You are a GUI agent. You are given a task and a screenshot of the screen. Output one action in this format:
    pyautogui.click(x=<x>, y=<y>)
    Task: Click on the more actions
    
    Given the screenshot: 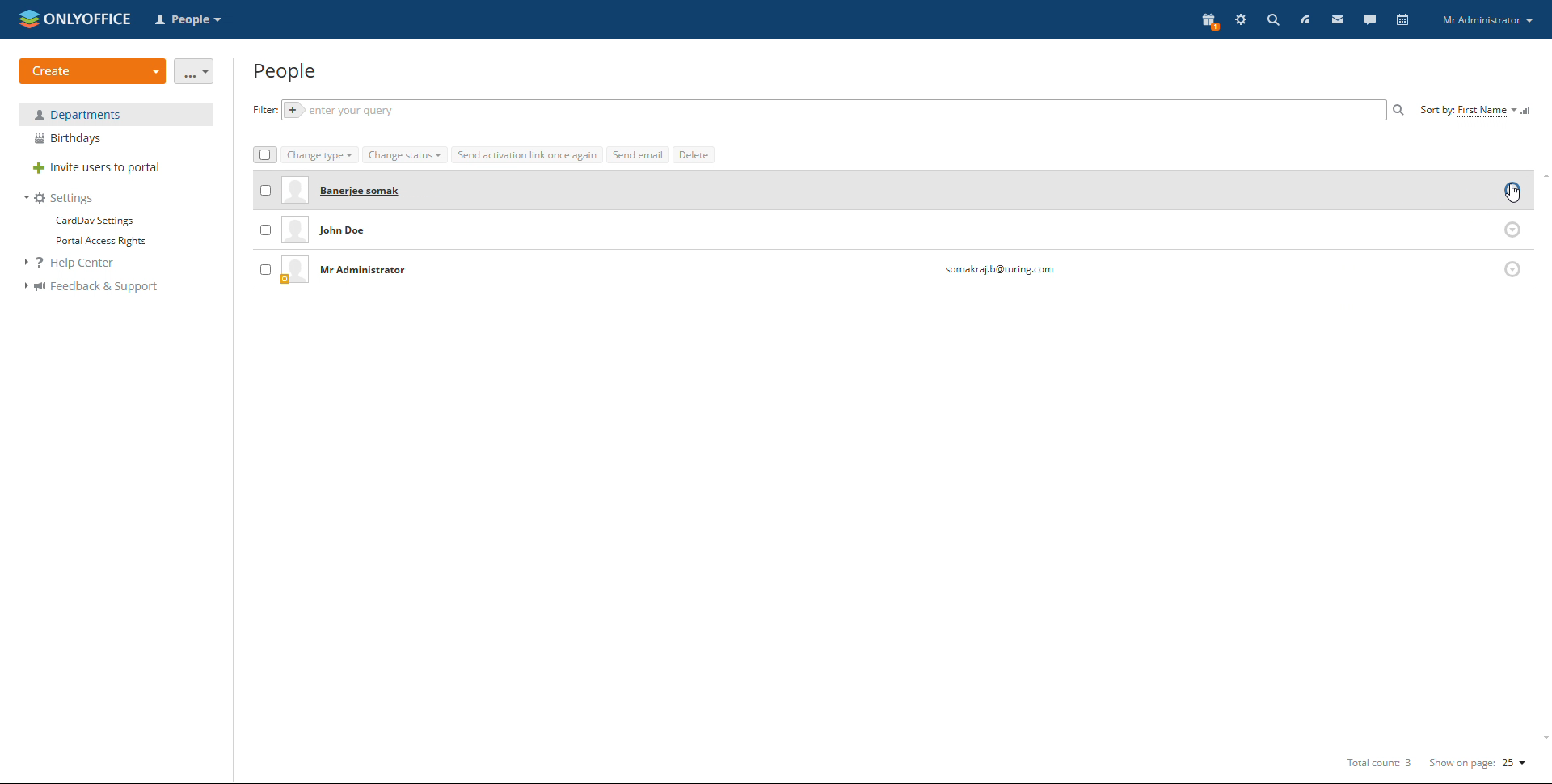 What is the action you would take?
    pyautogui.click(x=195, y=71)
    